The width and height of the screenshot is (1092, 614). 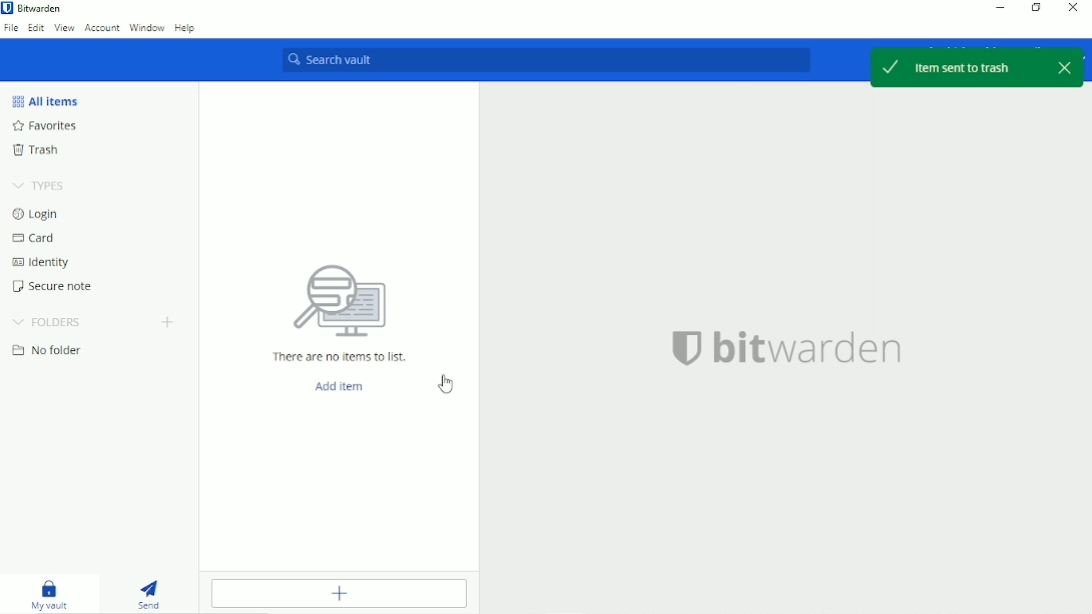 What do you see at coordinates (45, 100) in the screenshot?
I see `All Items` at bounding box center [45, 100].